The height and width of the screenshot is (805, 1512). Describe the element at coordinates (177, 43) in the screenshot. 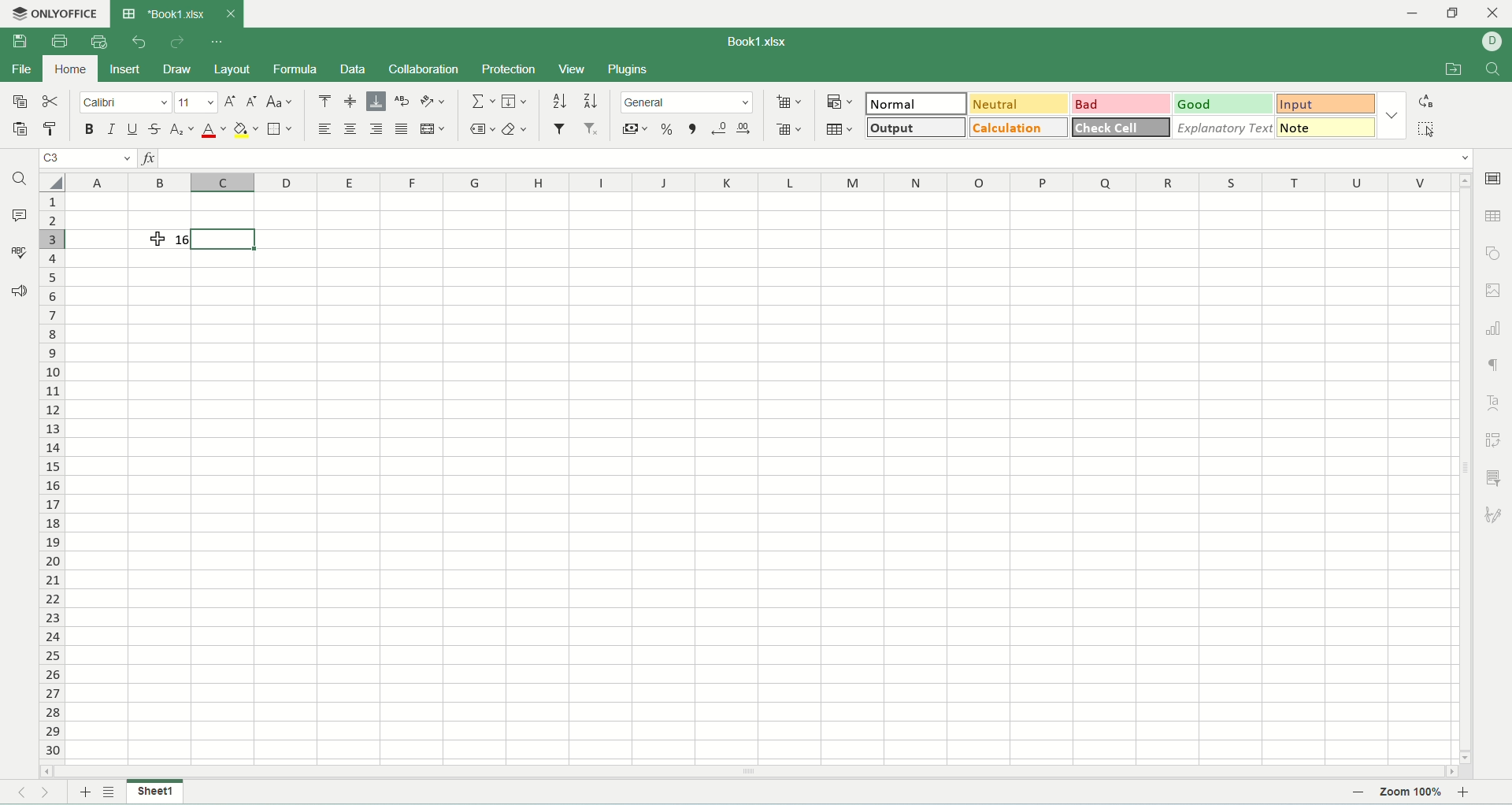

I see `redo` at that location.